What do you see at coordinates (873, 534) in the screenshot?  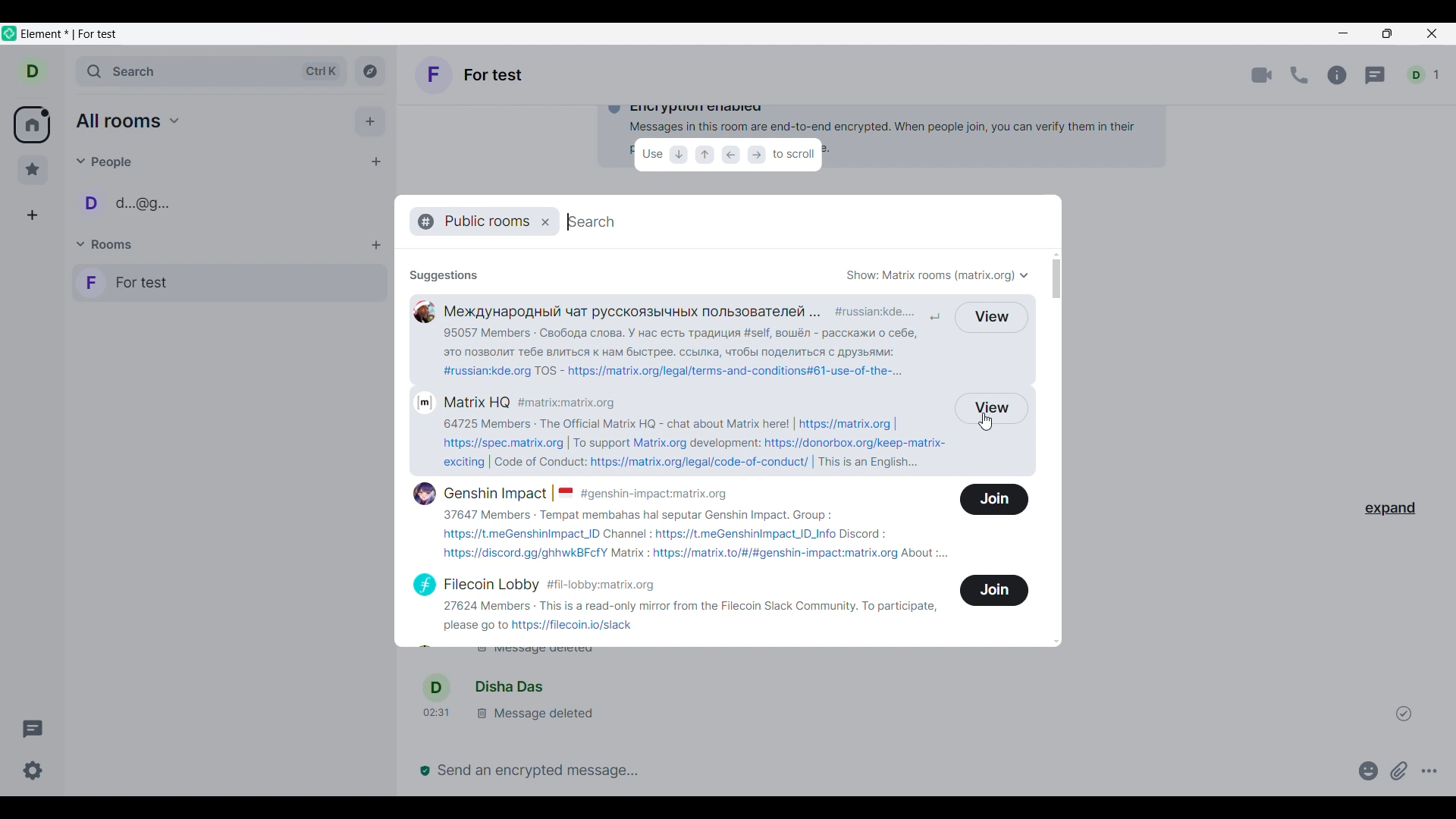 I see `discord:` at bounding box center [873, 534].